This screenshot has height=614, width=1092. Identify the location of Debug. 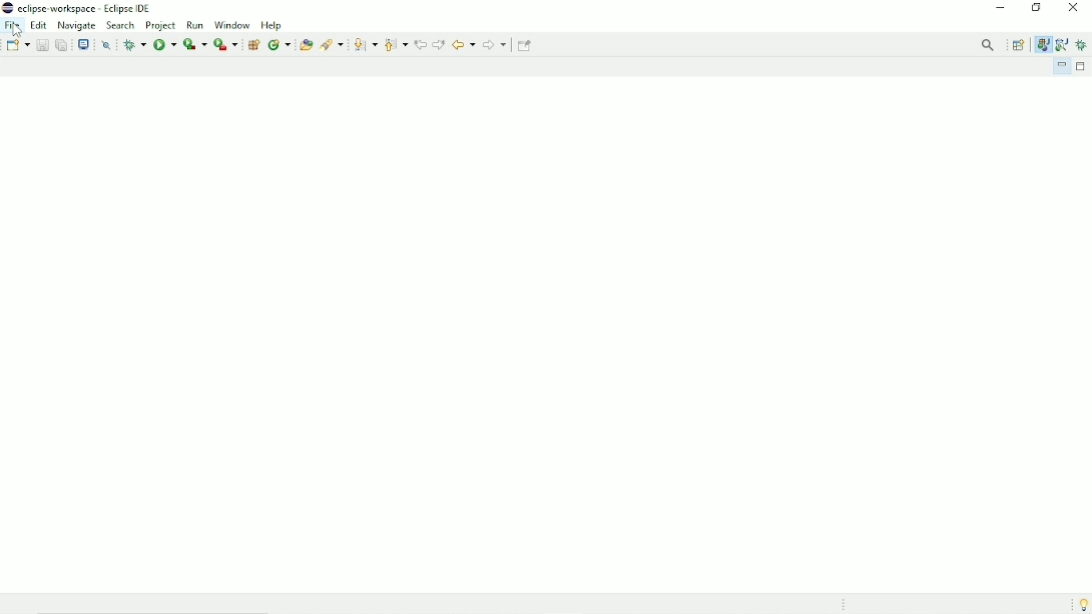
(135, 44).